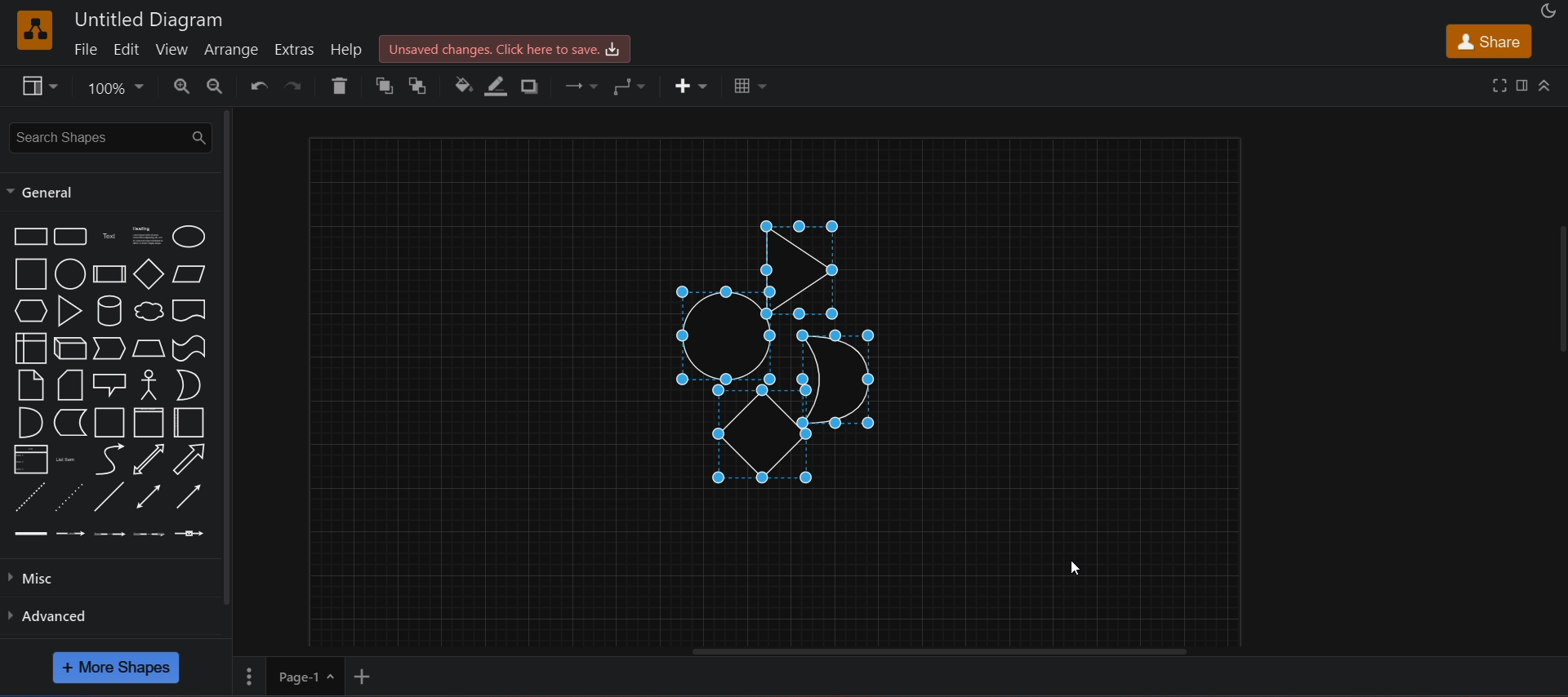 This screenshot has height=697, width=1568. Describe the element at coordinates (689, 84) in the screenshot. I see `insert` at that location.